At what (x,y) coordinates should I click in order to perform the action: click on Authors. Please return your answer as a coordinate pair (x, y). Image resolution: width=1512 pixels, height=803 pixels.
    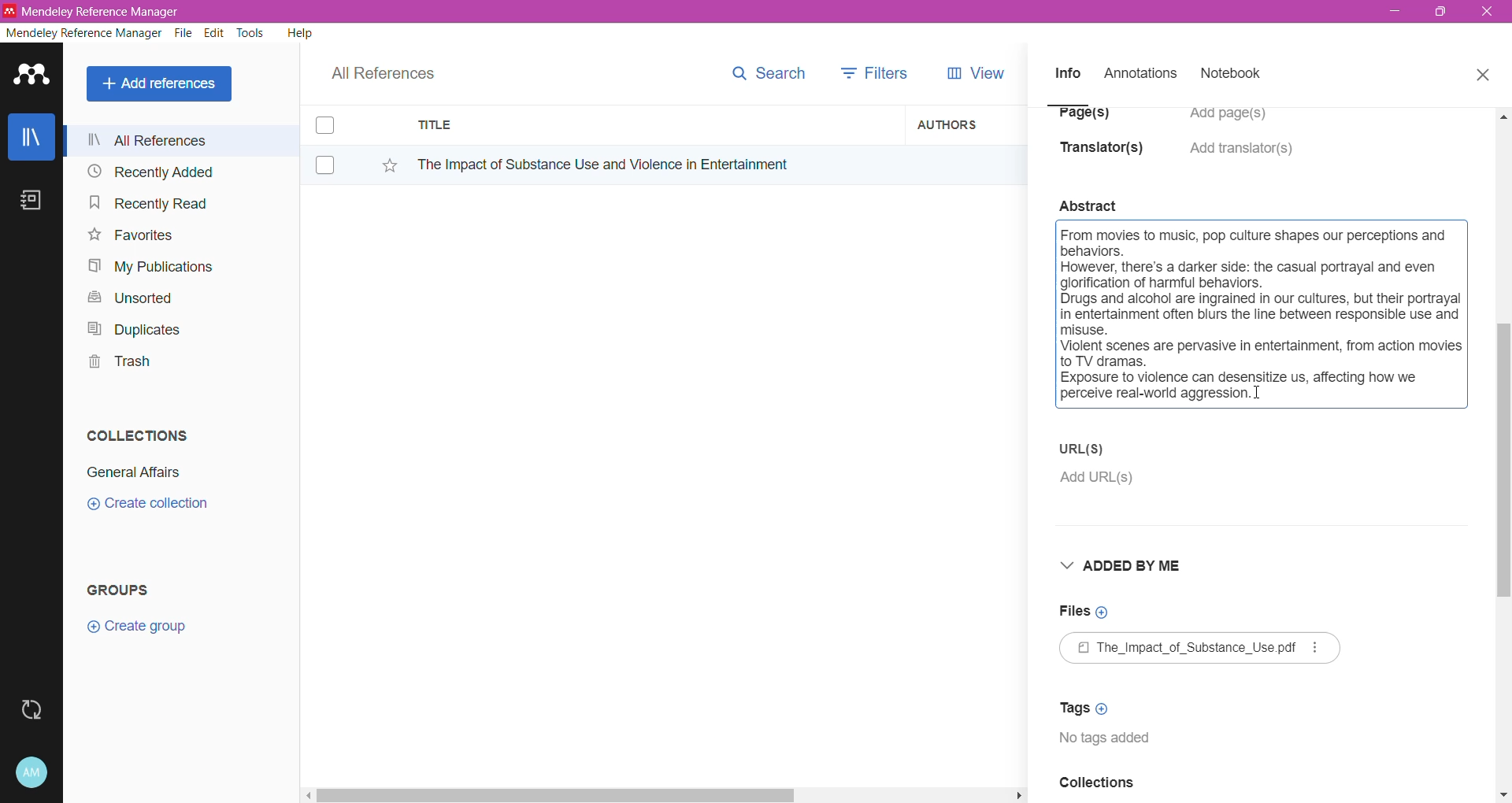
    Looking at the image, I should click on (966, 124).